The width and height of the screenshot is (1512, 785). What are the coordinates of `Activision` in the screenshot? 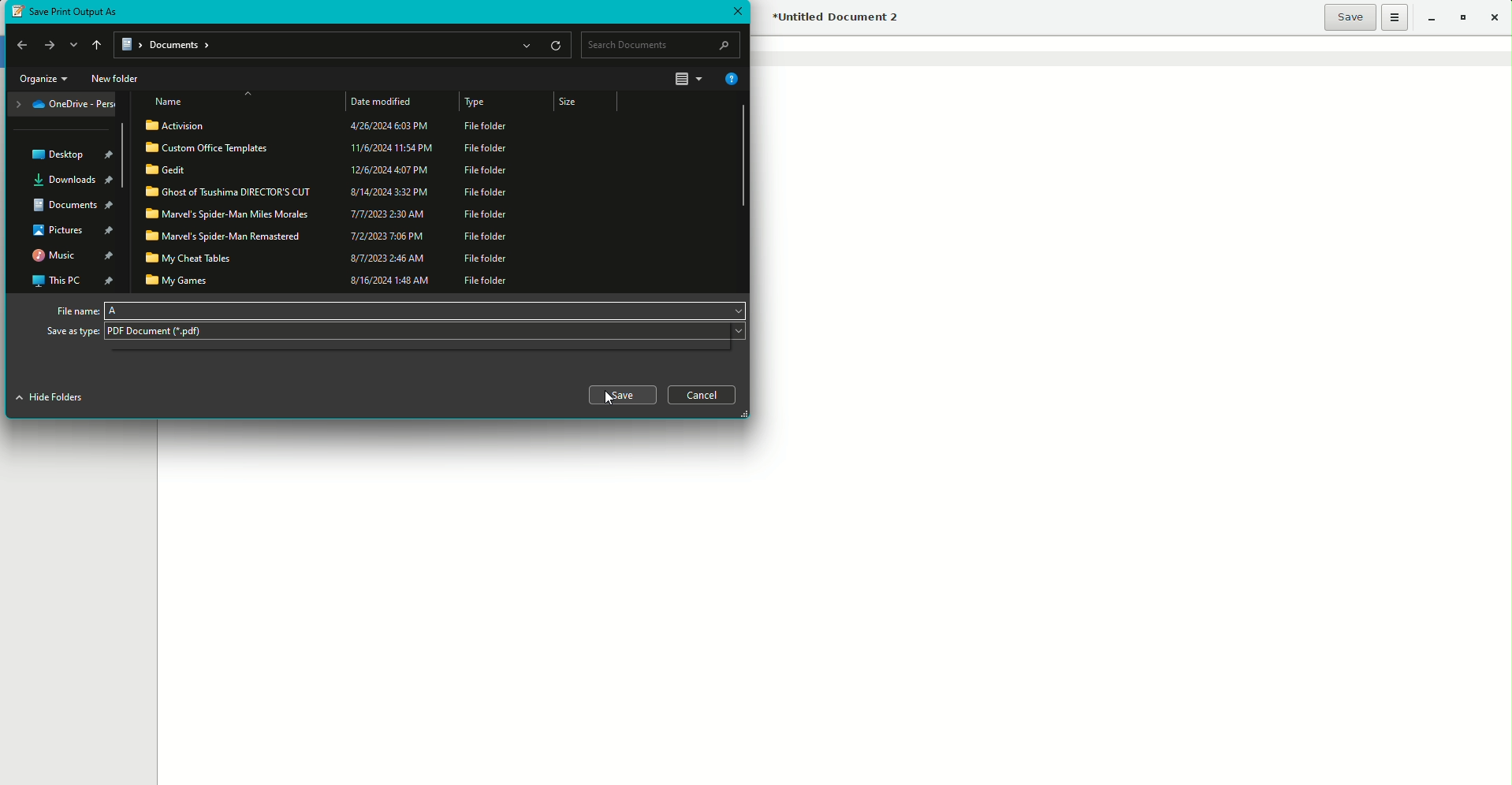 It's located at (329, 126).